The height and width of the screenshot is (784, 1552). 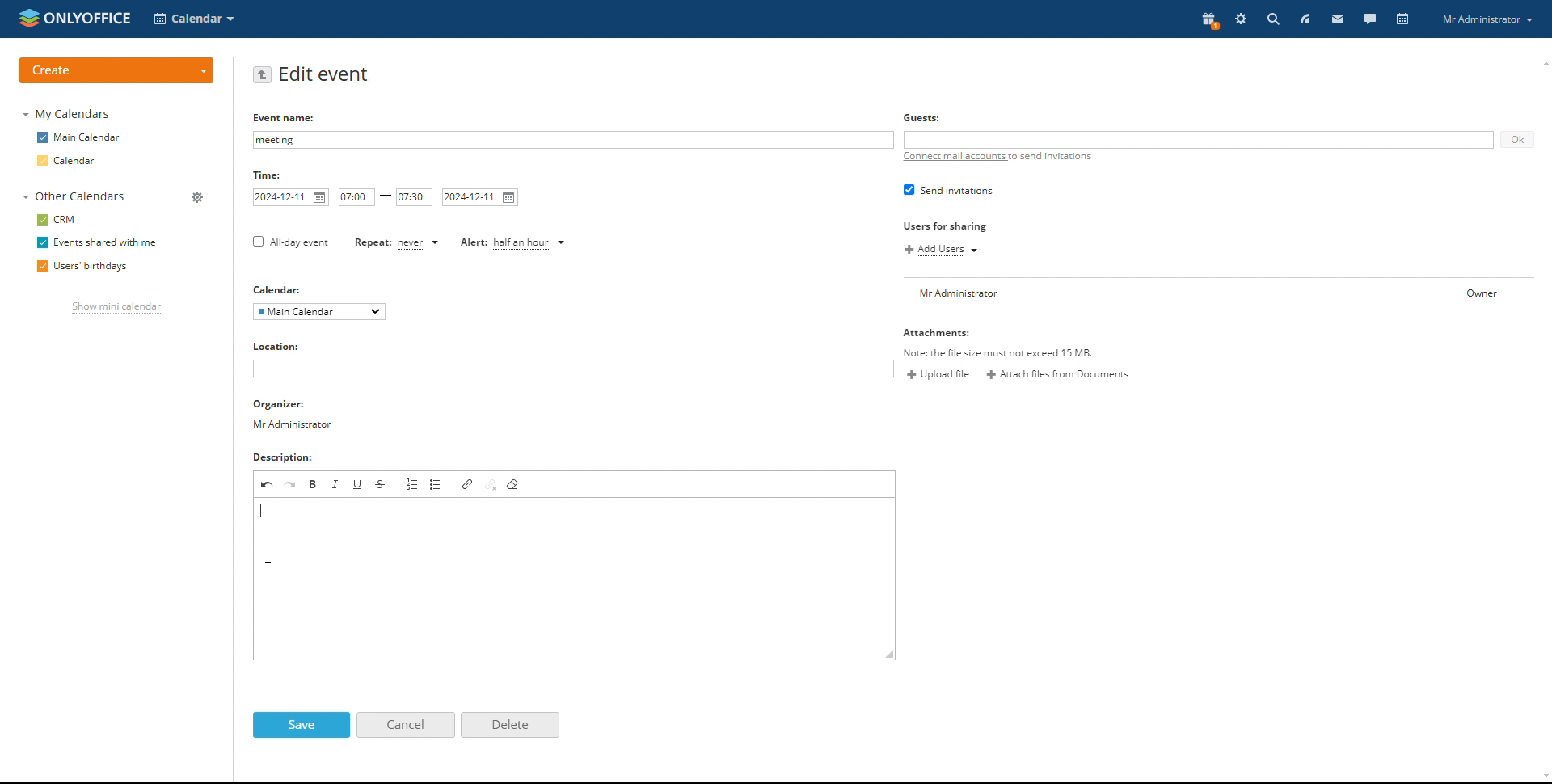 I want to click on attach files from documents, so click(x=1058, y=374).